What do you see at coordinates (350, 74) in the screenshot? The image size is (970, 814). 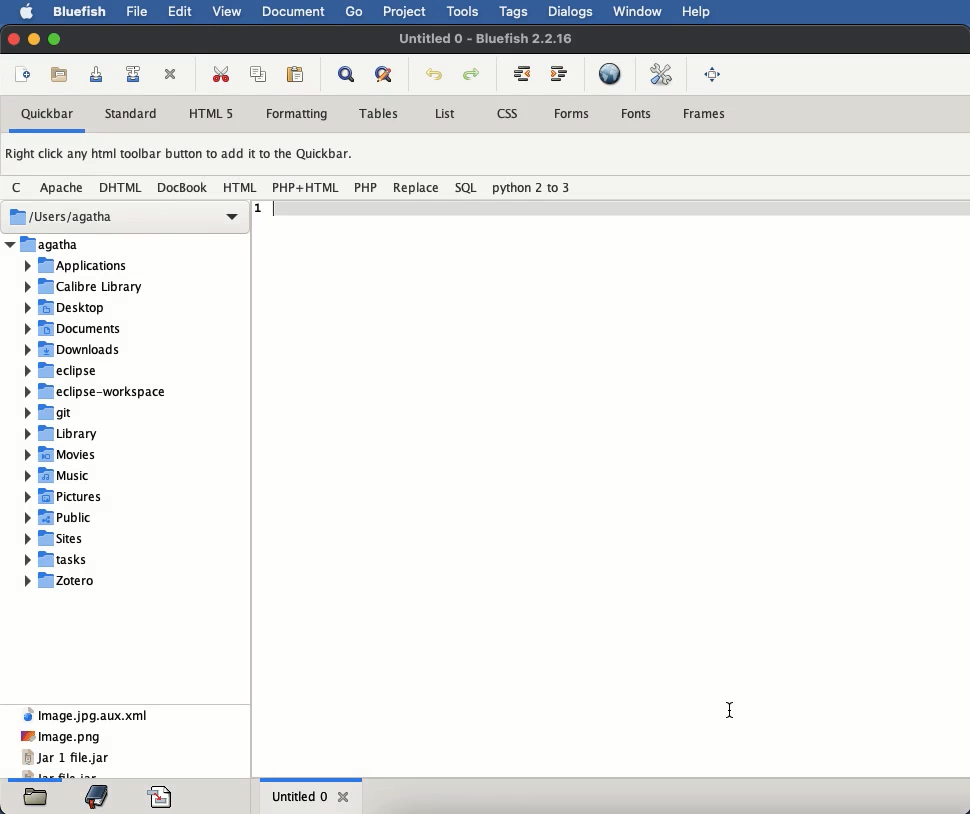 I see `show find bar` at bounding box center [350, 74].